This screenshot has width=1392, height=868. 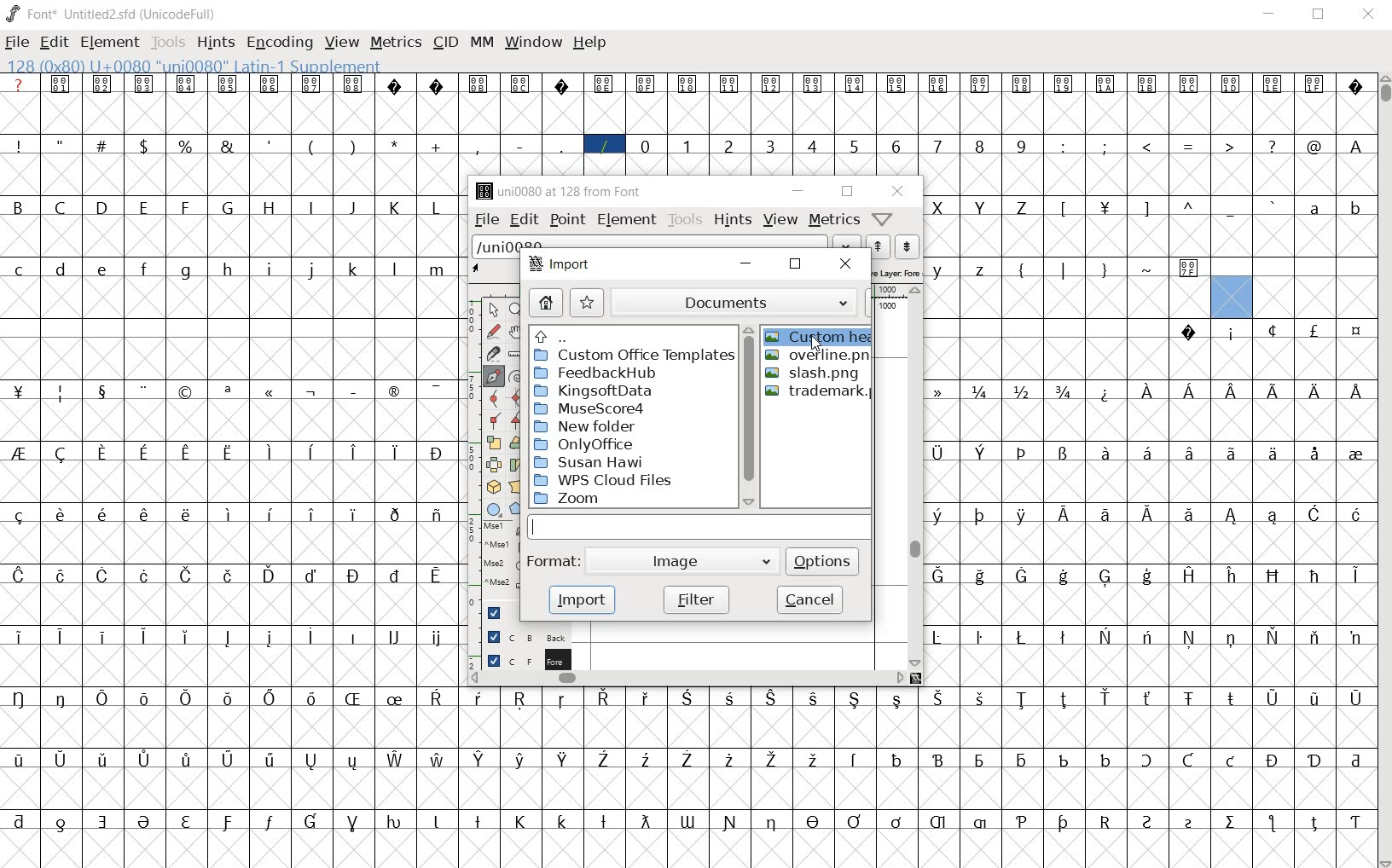 I want to click on glyph, so click(x=227, y=638).